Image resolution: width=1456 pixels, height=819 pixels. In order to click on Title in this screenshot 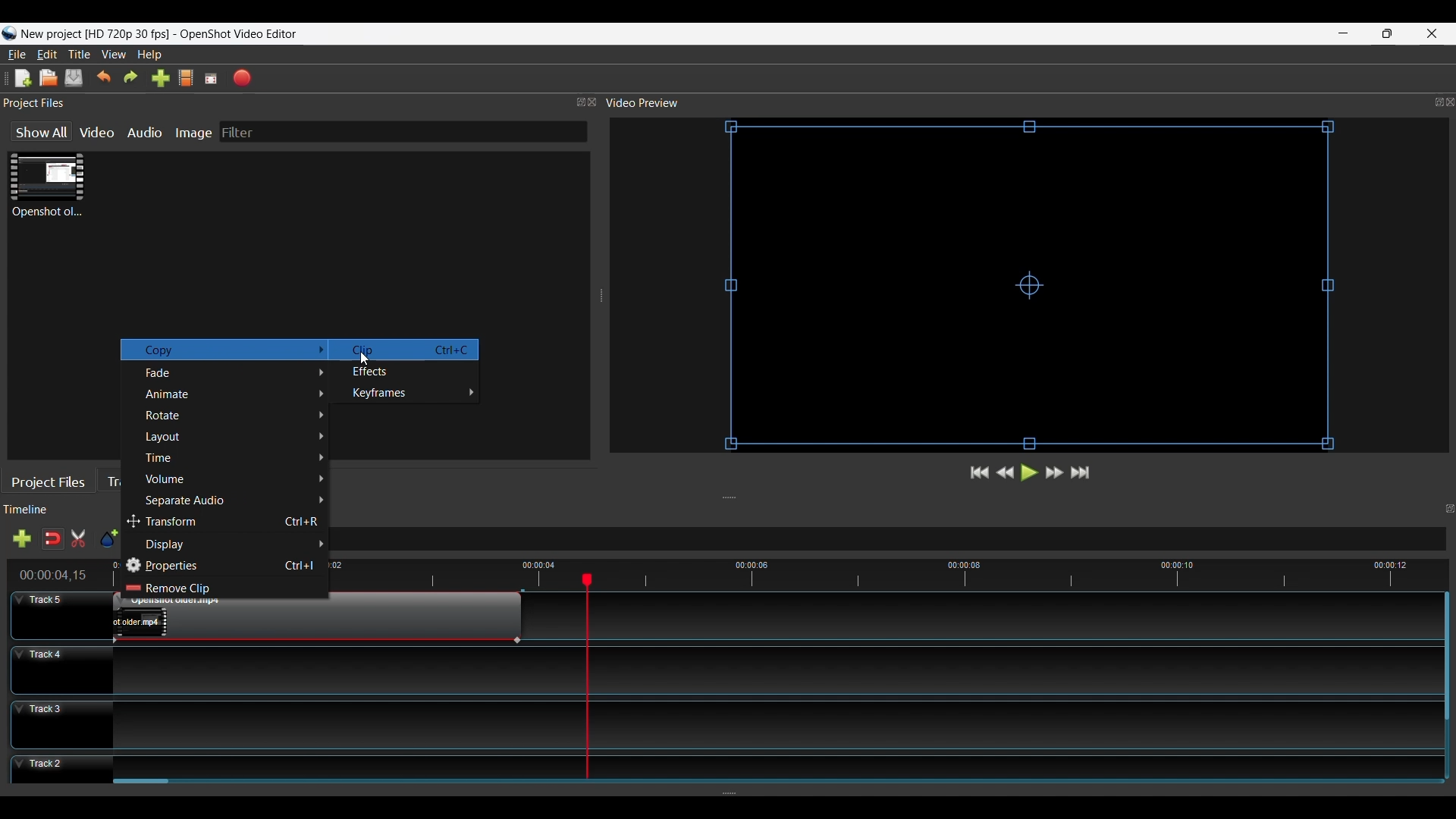, I will do `click(81, 55)`.